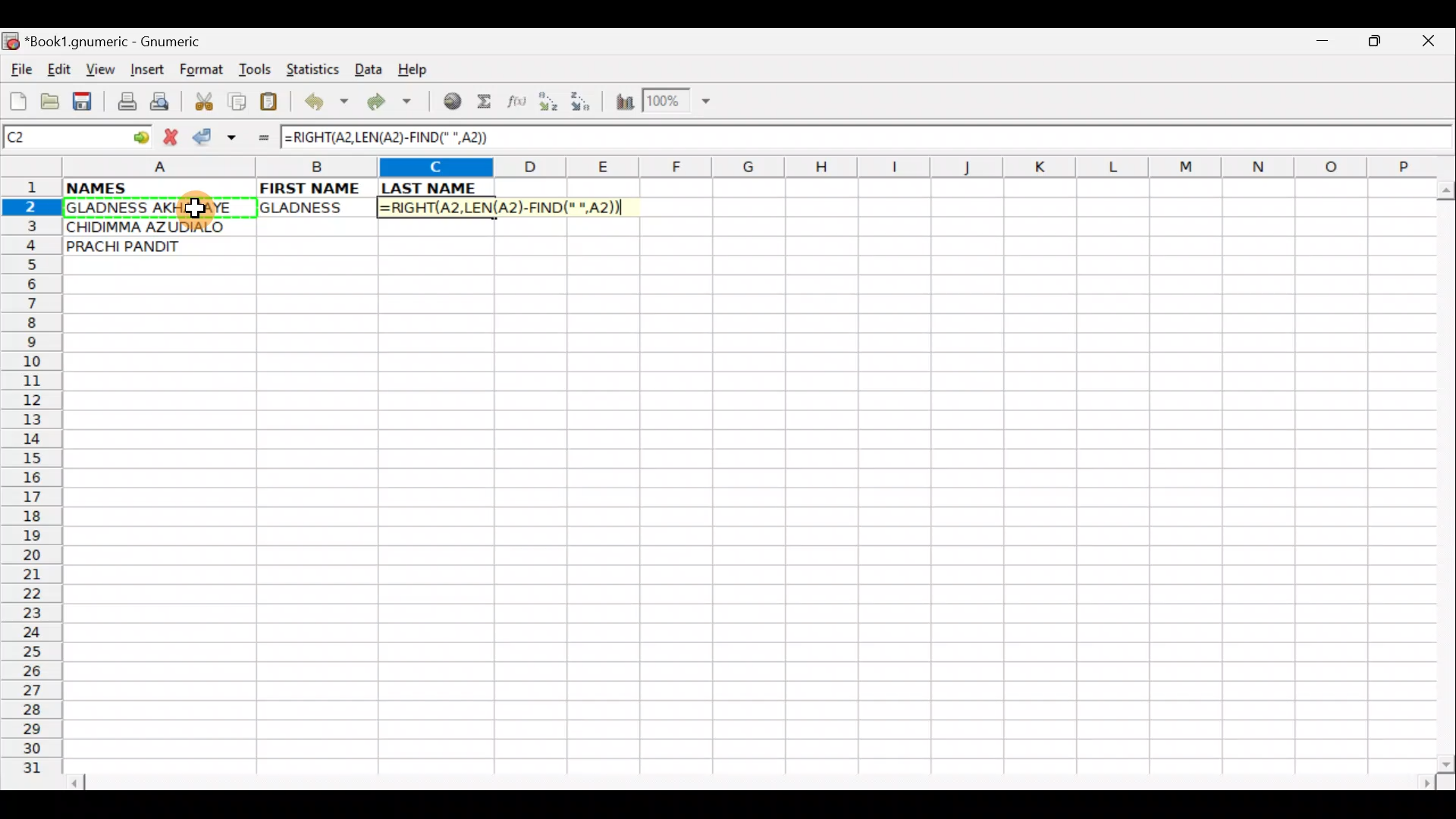 This screenshot has height=819, width=1456. Describe the element at coordinates (519, 105) in the screenshot. I see `Edit function in the current cell` at that location.